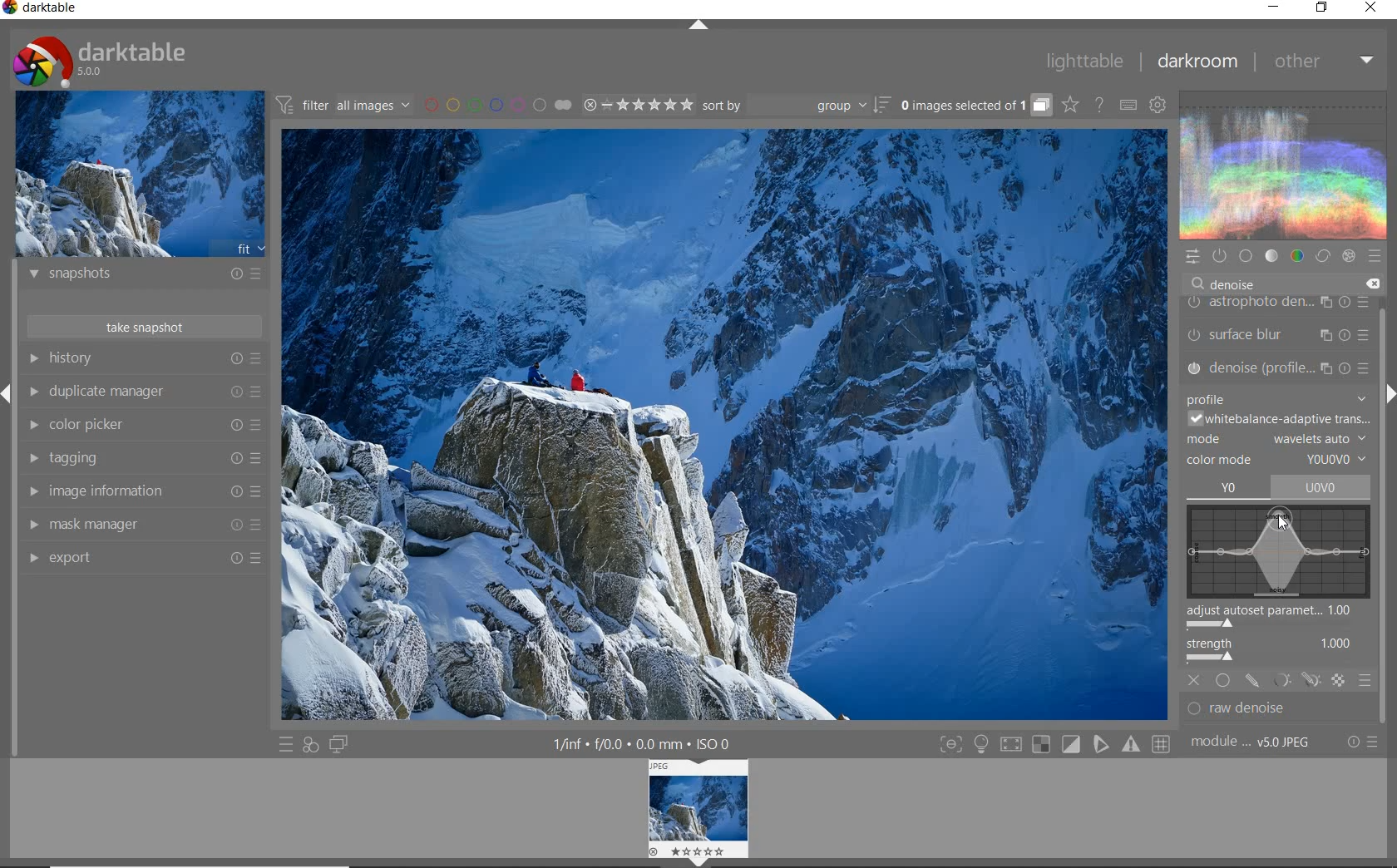 The image size is (1397, 868). What do you see at coordinates (1278, 305) in the screenshot?
I see `astrophoto density` at bounding box center [1278, 305].